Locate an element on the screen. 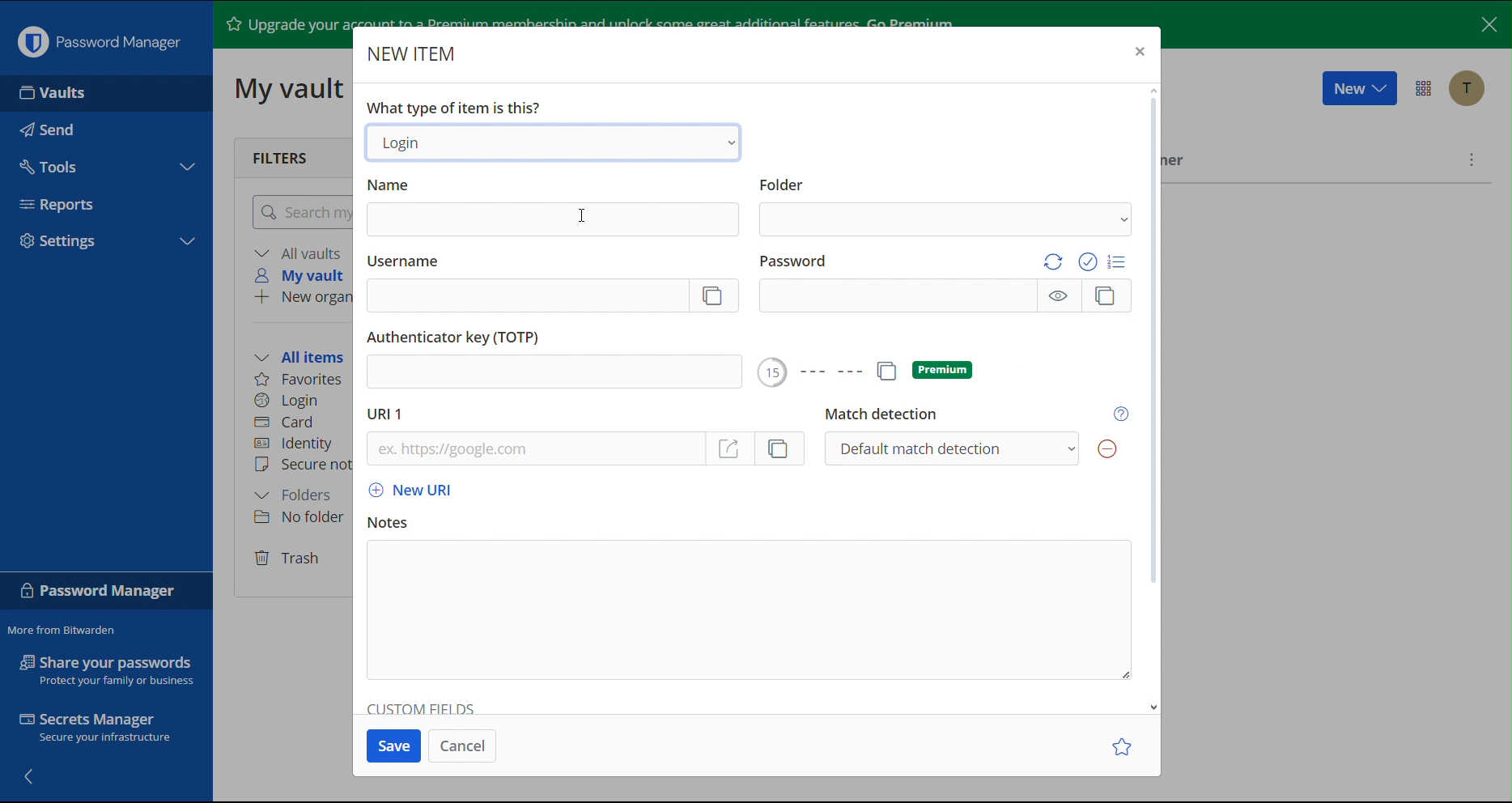  Upgrade your account  is located at coordinates (280, 23).